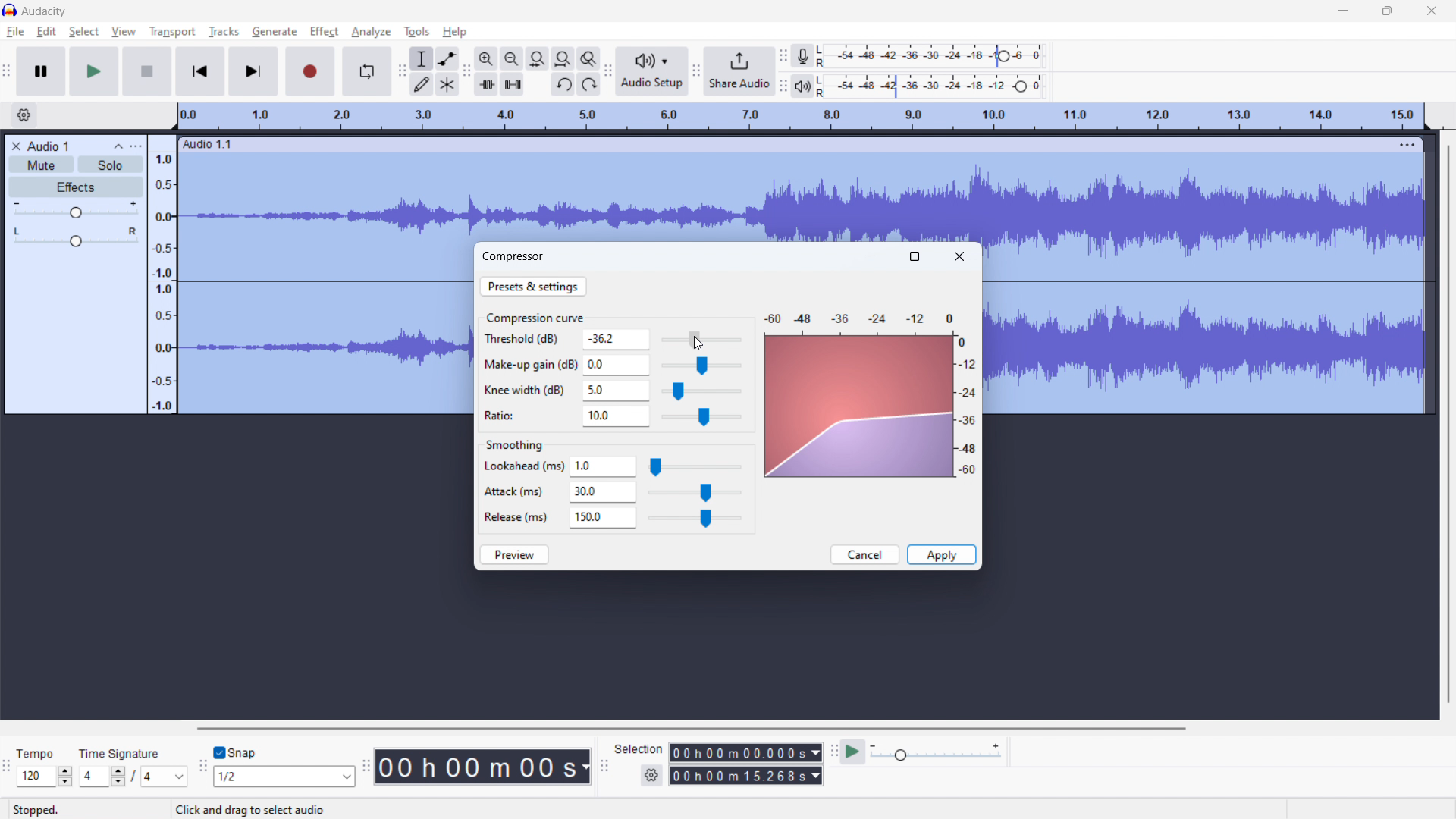 This screenshot has height=819, width=1456. What do you see at coordinates (447, 85) in the screenshot?
I see `multi tool` at bounding box center [447, 85].